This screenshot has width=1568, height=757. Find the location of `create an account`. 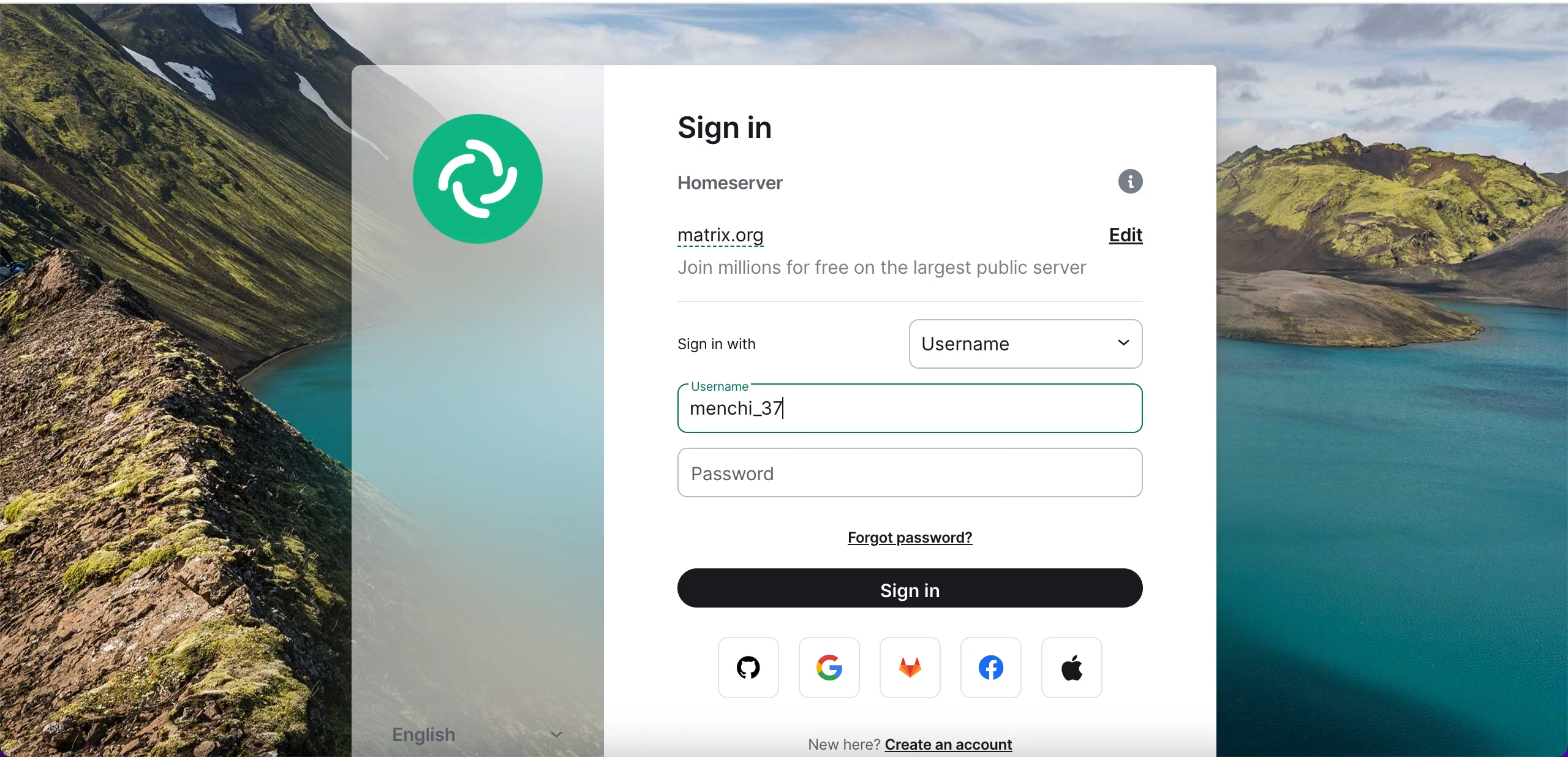

create an account is located at coordinates (957, 744).